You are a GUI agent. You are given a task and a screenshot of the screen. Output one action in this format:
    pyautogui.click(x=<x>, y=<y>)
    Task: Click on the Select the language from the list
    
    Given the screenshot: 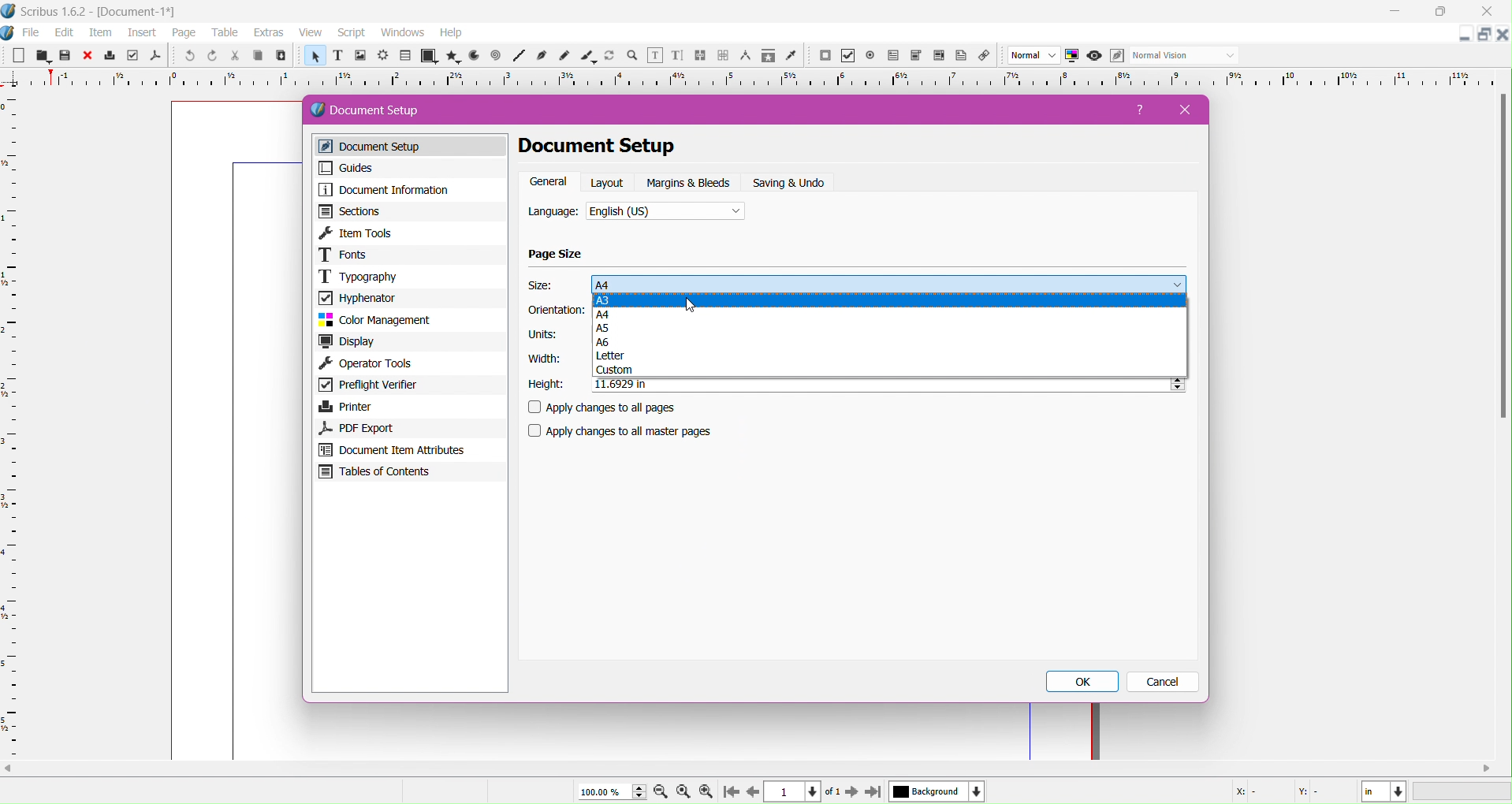 What is the action you would take?
    pyautogui.click(x=666, y=213)
    